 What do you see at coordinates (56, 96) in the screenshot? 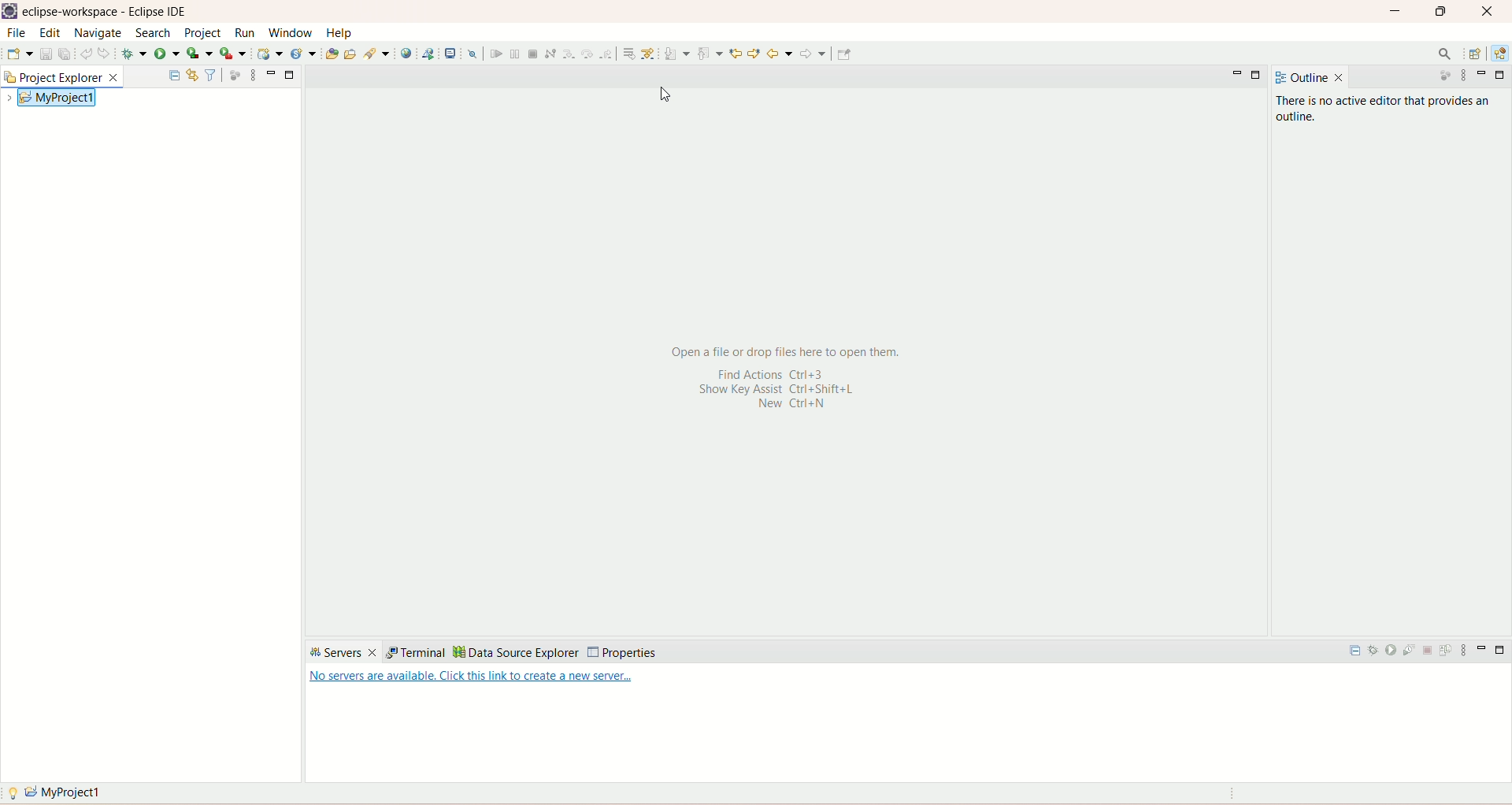
I see `my project` at bounding box center [56, 96].